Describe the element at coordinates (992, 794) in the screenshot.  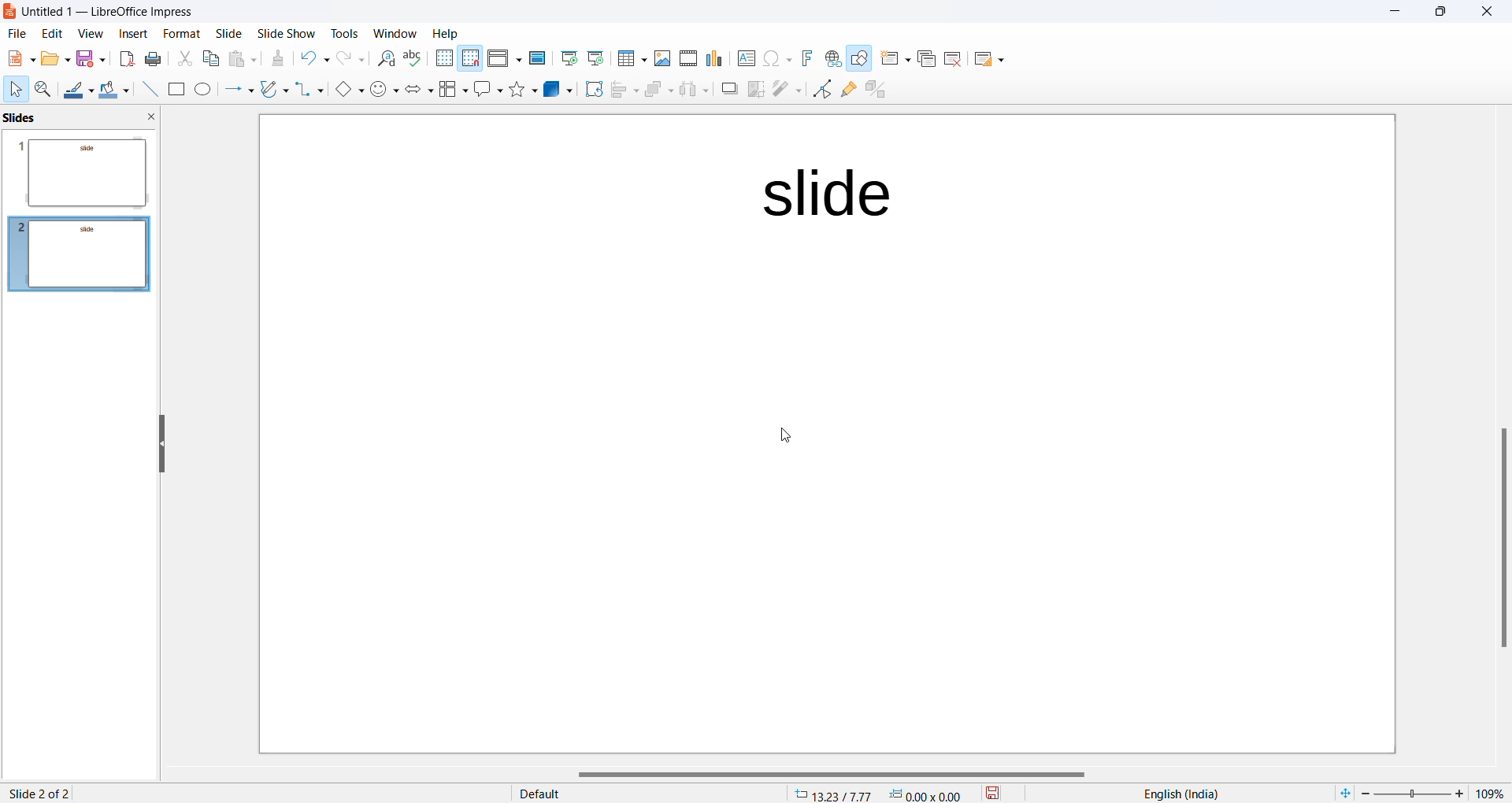
I see `save` at that location.